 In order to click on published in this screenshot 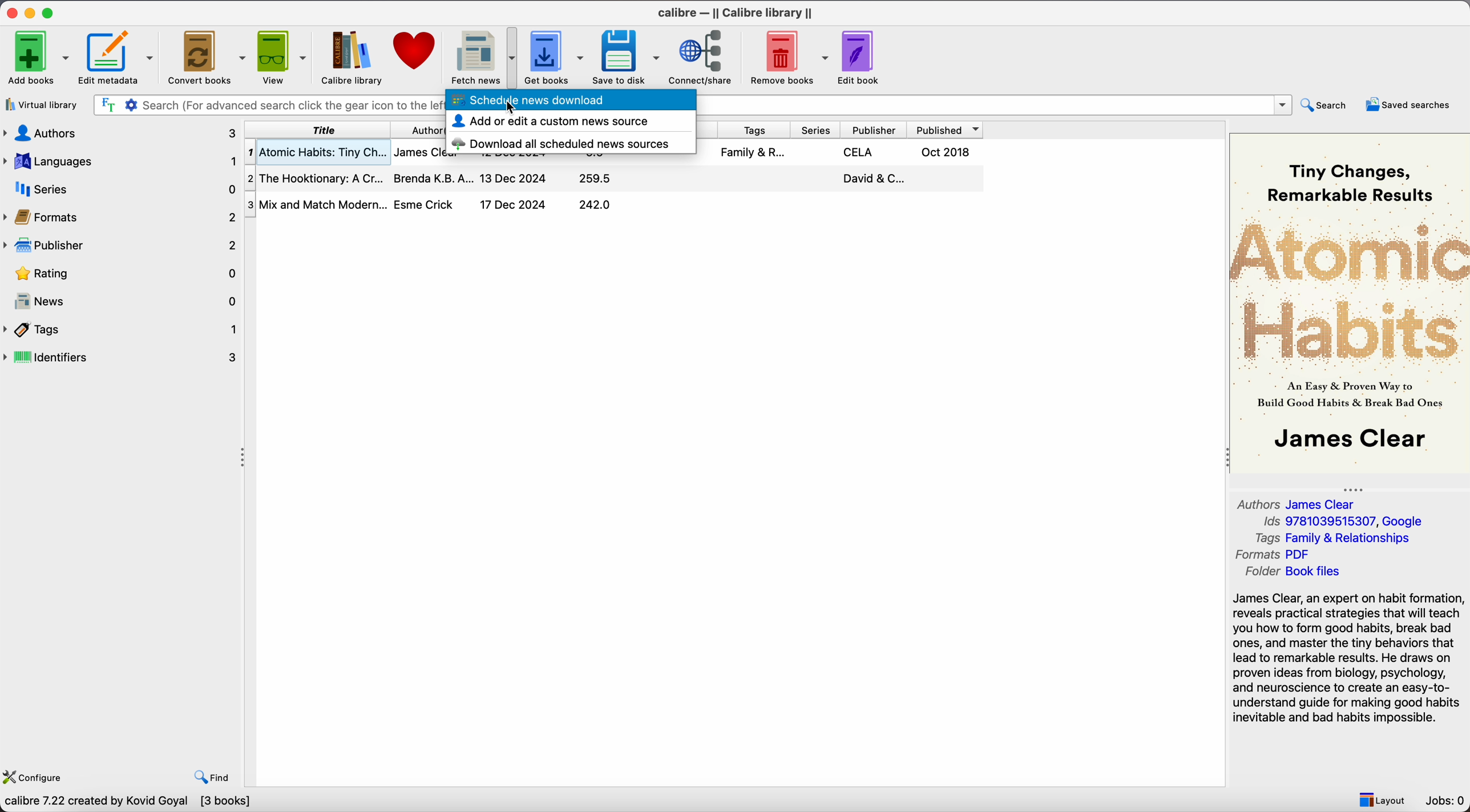, I will do `click(949, 130)`.